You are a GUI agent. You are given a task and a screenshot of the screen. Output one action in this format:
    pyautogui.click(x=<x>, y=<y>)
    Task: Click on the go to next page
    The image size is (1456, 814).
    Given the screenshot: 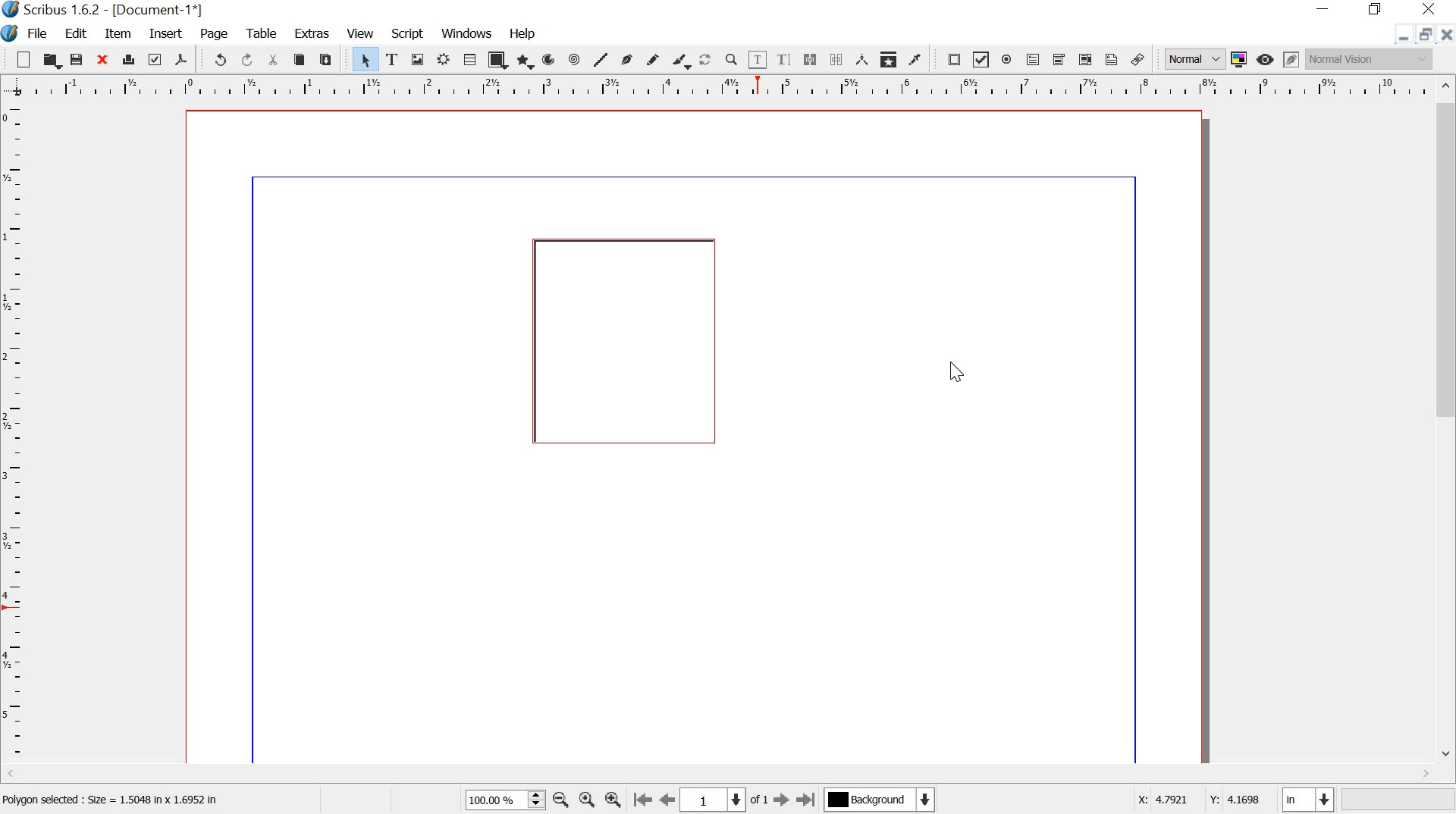 What is the action you would take?
    pyautogui.click(x=783, y=800)
    